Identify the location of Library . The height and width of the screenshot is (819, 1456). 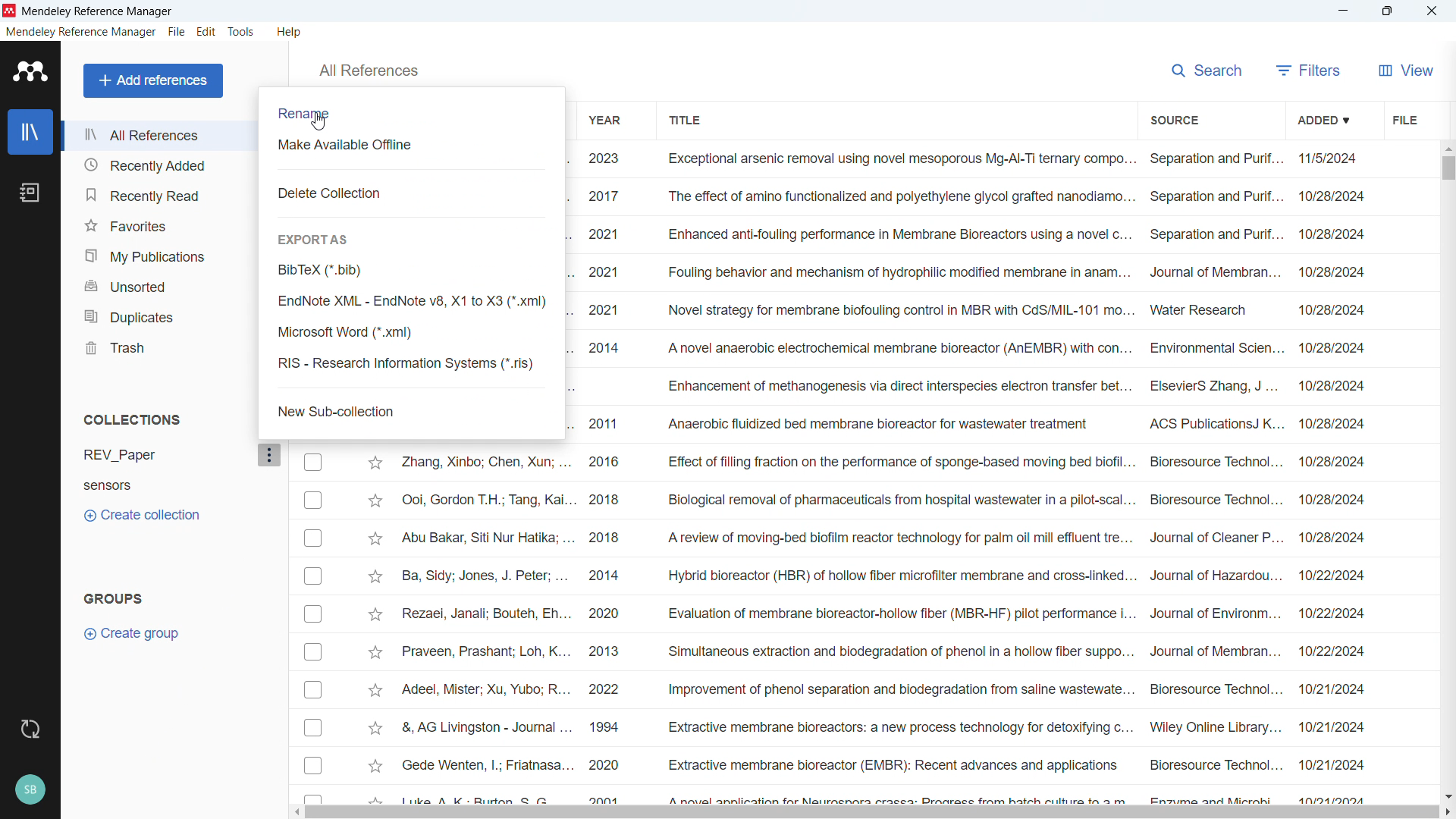
(30, 131).